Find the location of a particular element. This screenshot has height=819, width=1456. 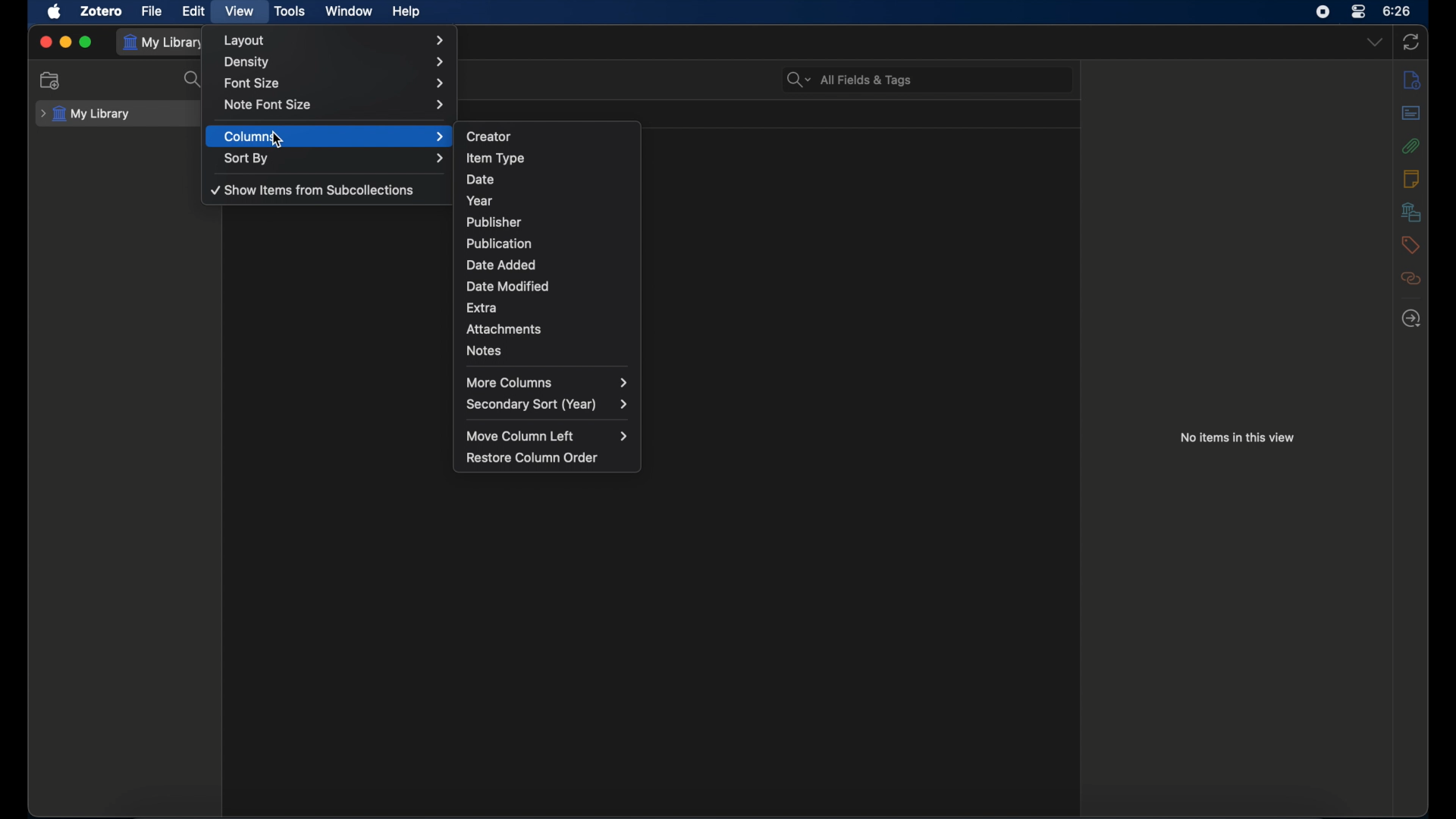

my library is located at coordinates (167, 42).